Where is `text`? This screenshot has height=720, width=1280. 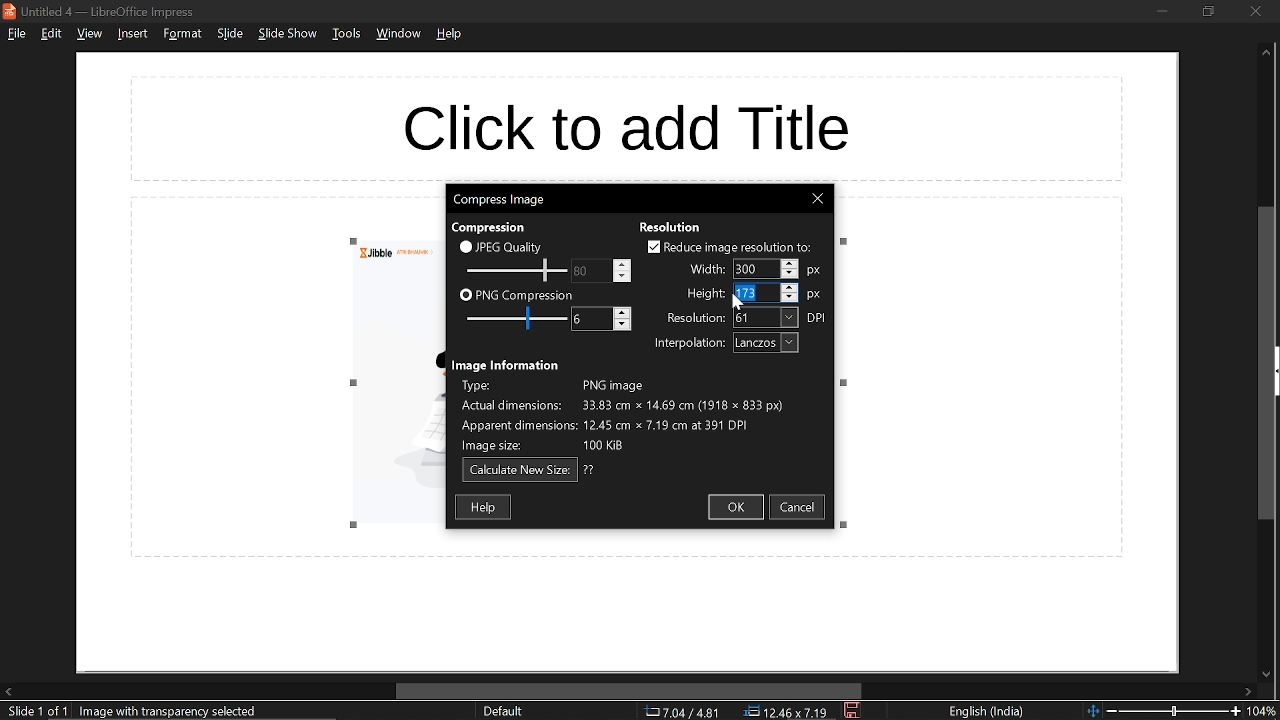 text is located at coordinates (494, 226).